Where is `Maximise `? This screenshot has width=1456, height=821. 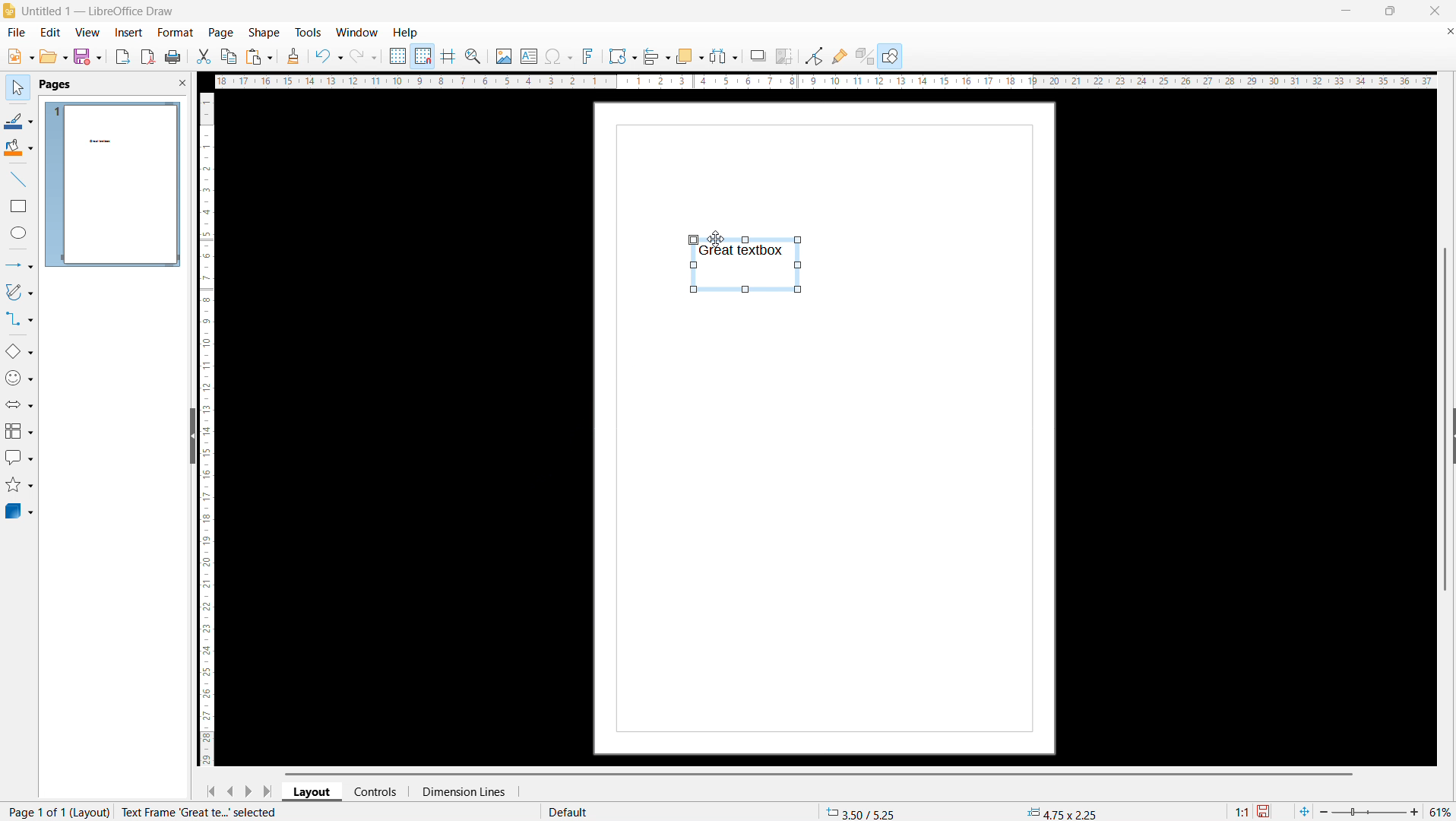
Maximise  is located at coordinates (1388, 11).